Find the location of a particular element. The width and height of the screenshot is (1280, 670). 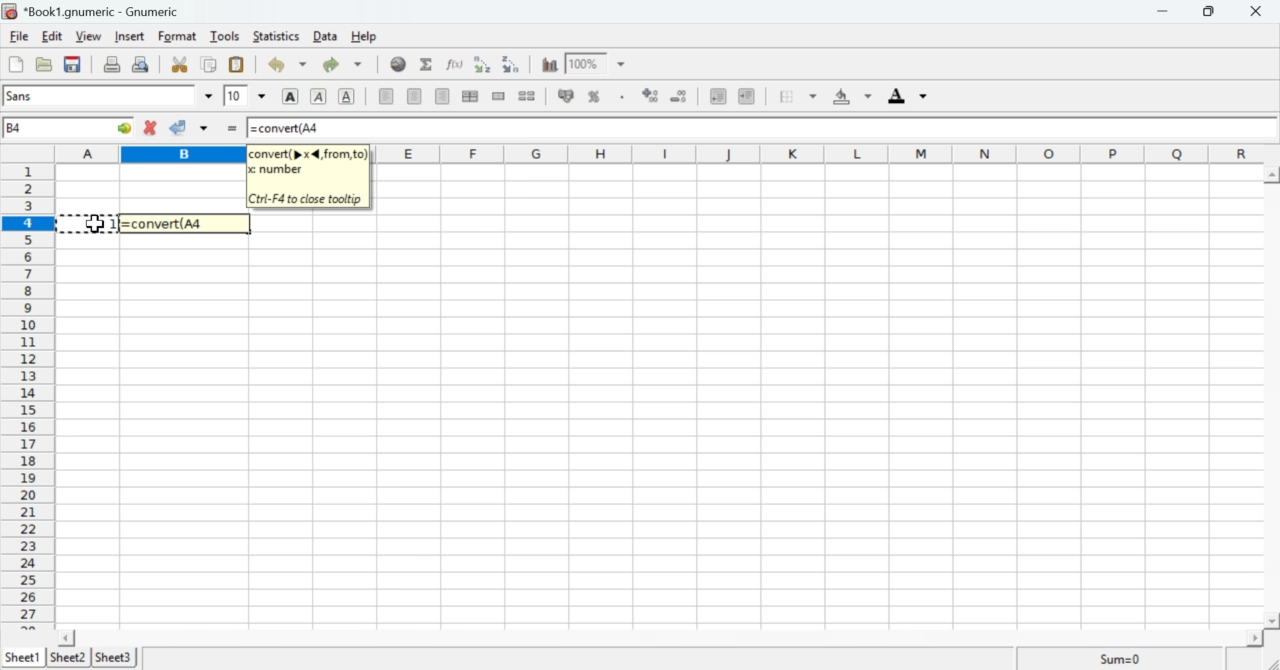

= is located at coordinates (231, 130).